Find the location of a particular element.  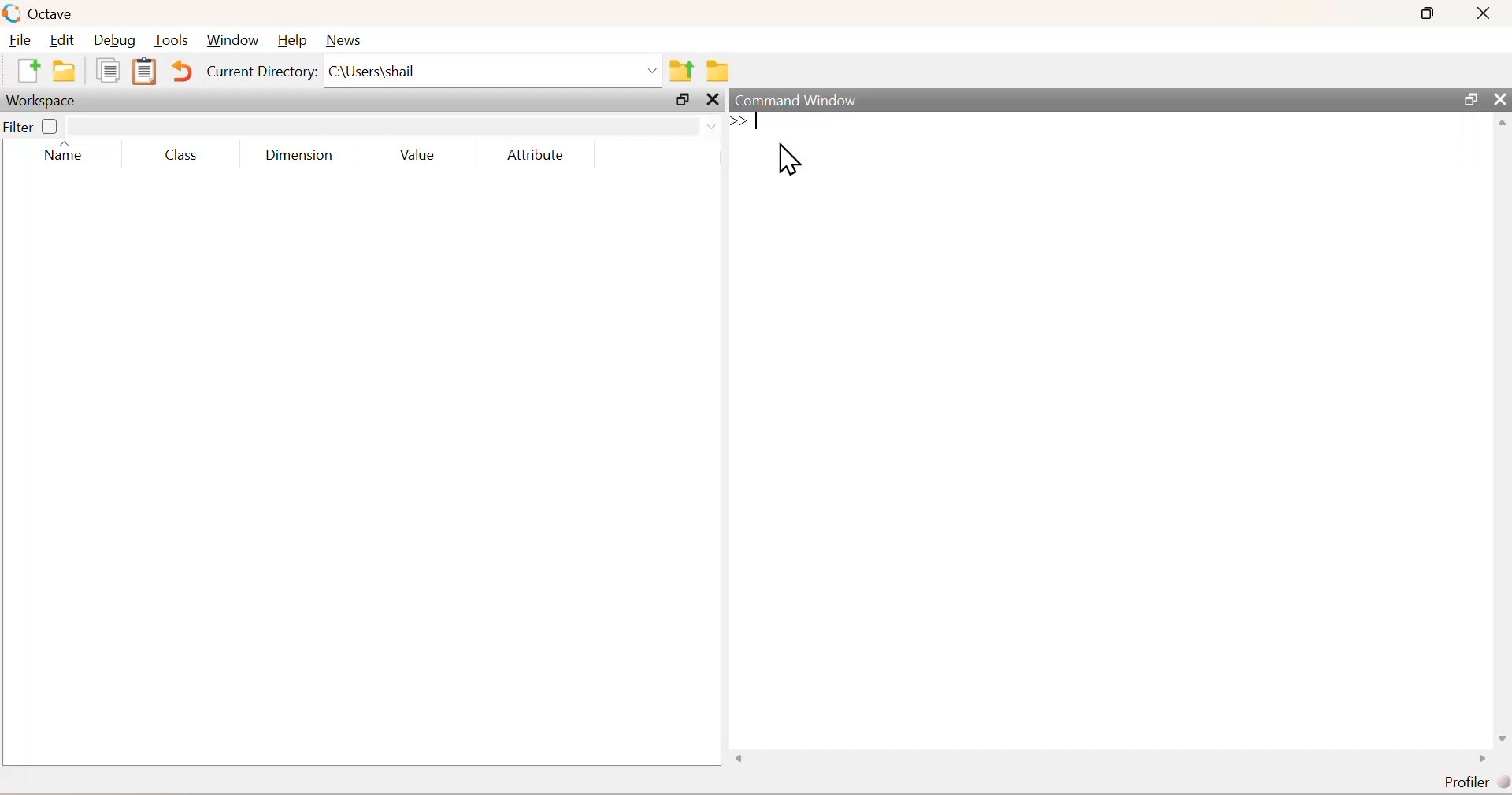

close is located at coordinates (1482, 13).